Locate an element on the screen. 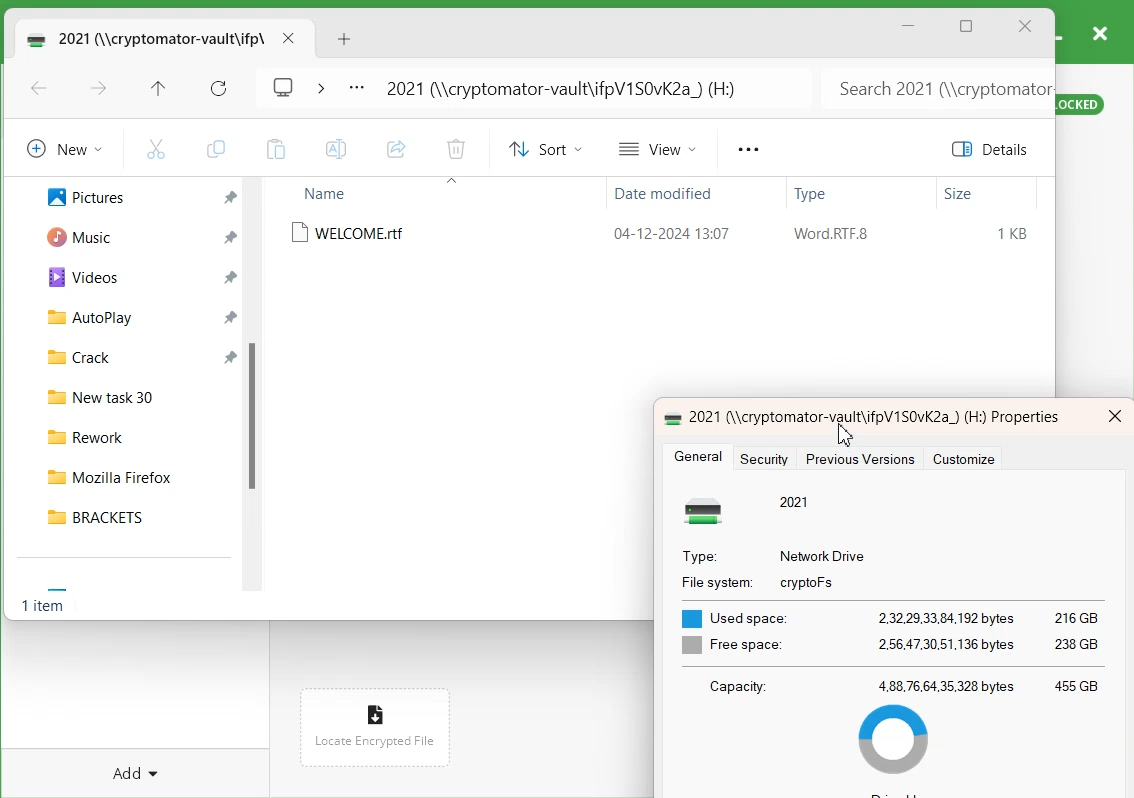 This screenshot has width=1134, height=798. Word RTF 8 is located at coordinates (831, 234).